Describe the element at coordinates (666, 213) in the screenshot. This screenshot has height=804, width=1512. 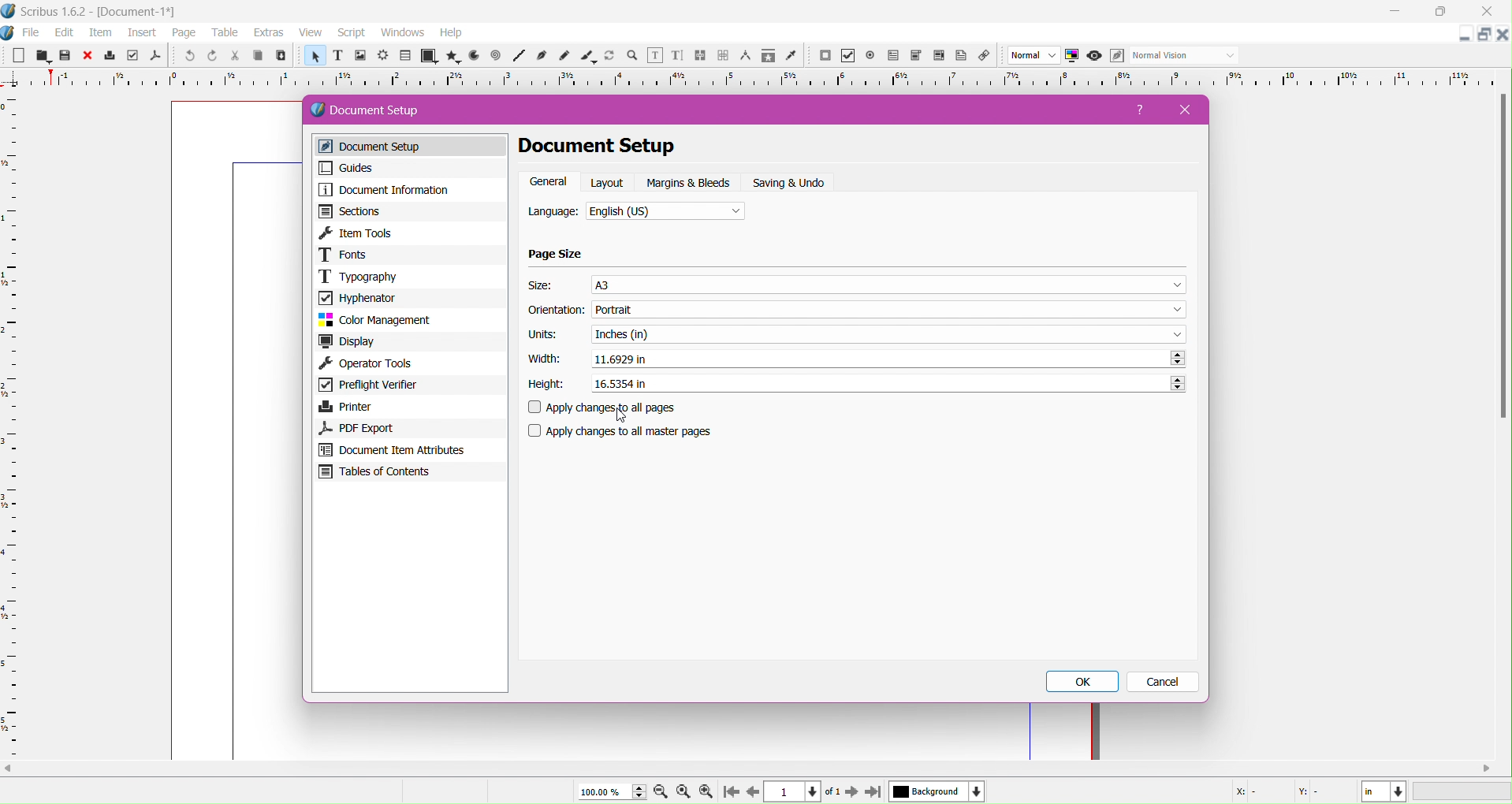
I see `Select the language from the list` at that location.